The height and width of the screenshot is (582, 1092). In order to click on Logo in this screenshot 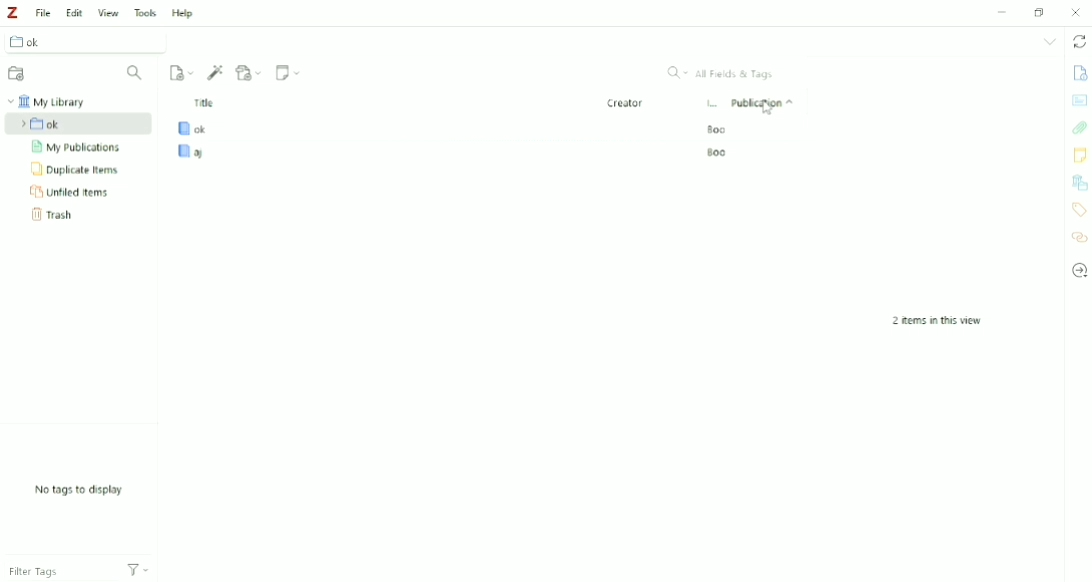, I will do `click(14, 12)`.